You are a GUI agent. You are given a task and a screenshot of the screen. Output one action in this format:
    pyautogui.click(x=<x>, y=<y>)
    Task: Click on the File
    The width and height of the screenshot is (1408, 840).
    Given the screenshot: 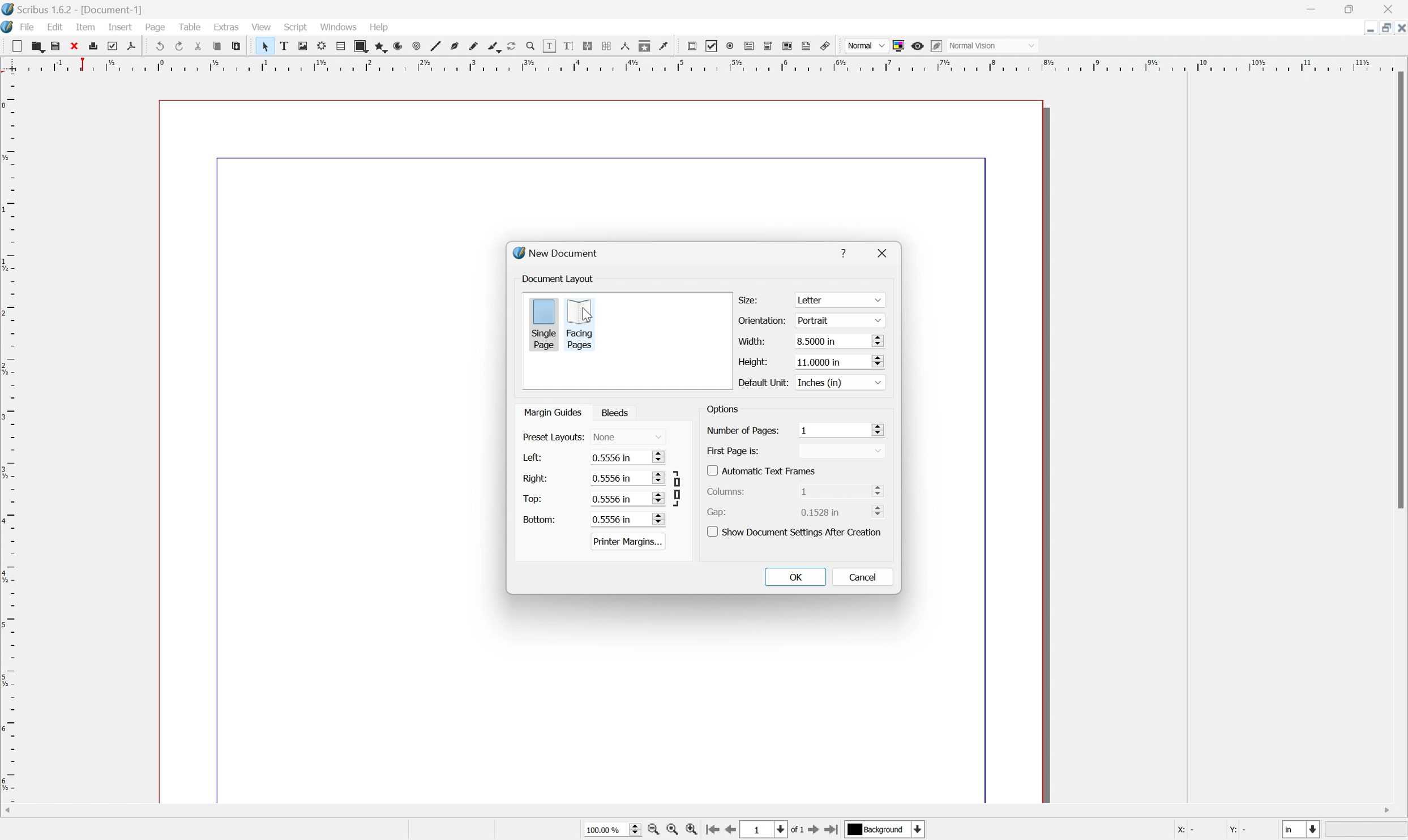 What is the action you would take?
    pyautogui.click(x=29, y=28)
    